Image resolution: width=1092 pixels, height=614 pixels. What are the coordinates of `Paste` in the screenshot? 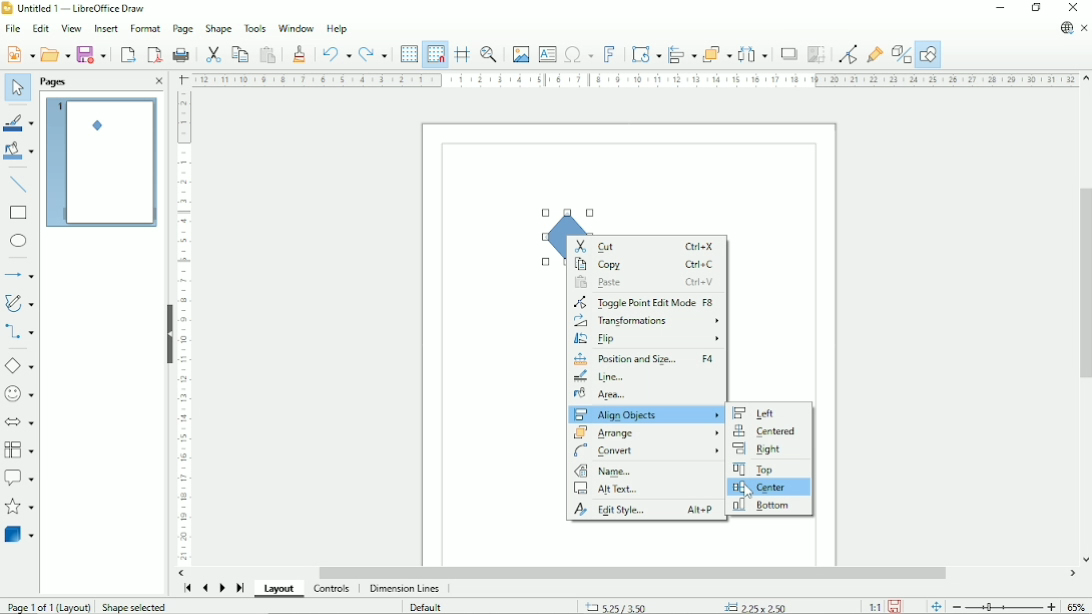 It's located at (269, 54).